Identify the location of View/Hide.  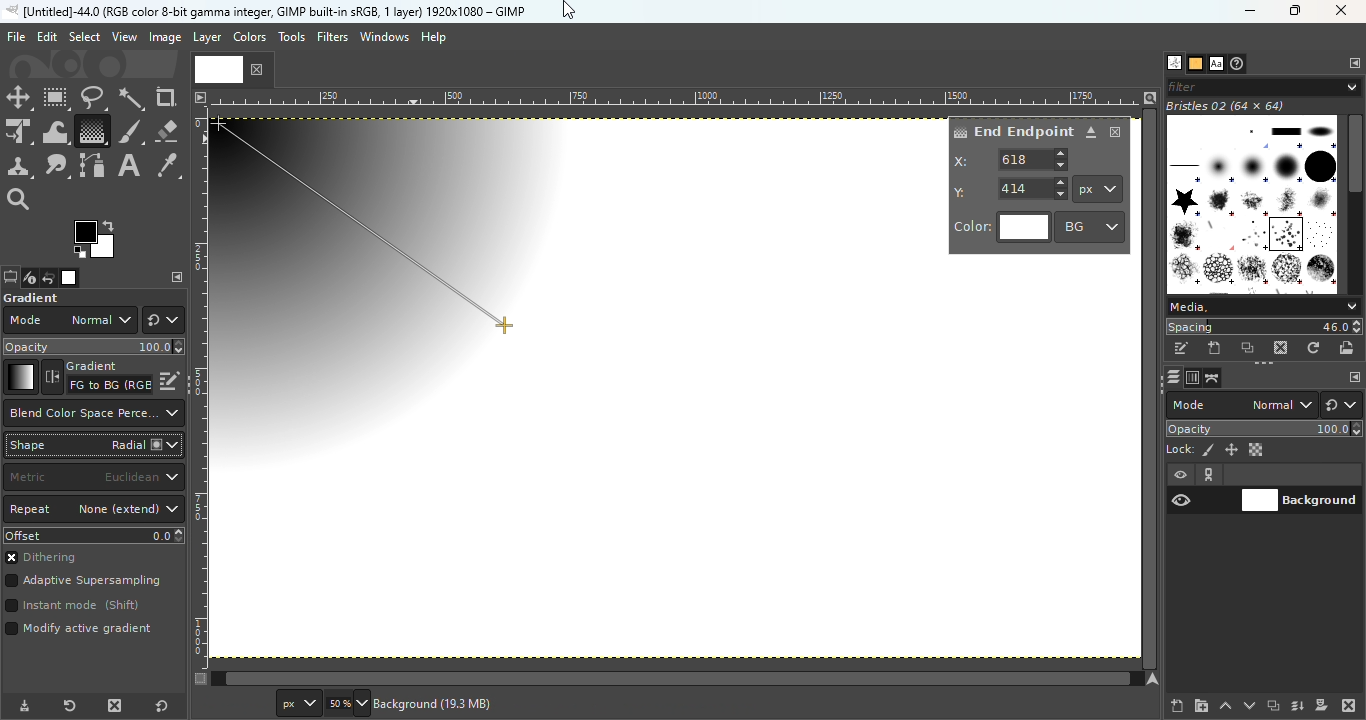
(1202, 488).